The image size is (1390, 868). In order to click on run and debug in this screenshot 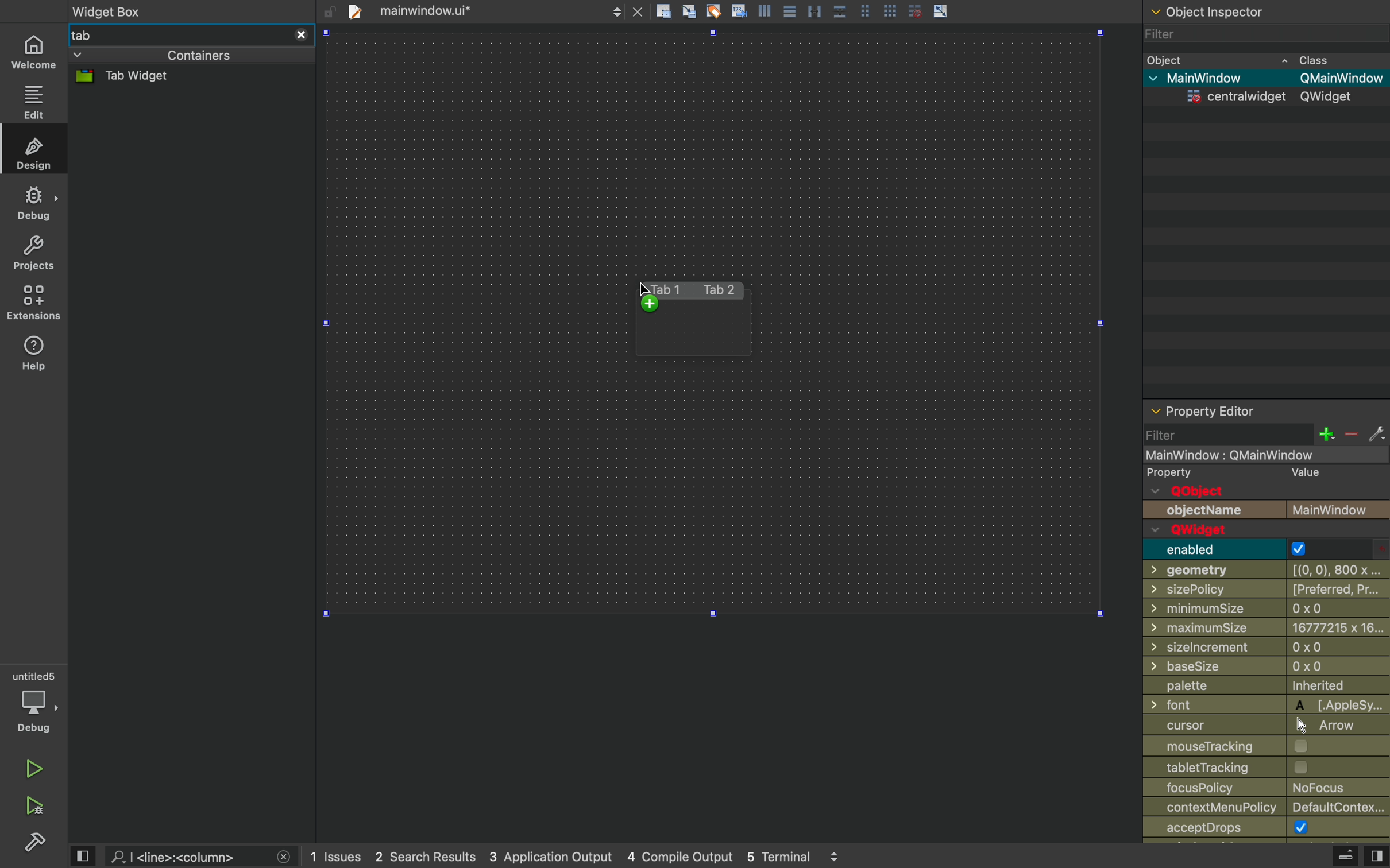, I will do `click(33, 807)`.